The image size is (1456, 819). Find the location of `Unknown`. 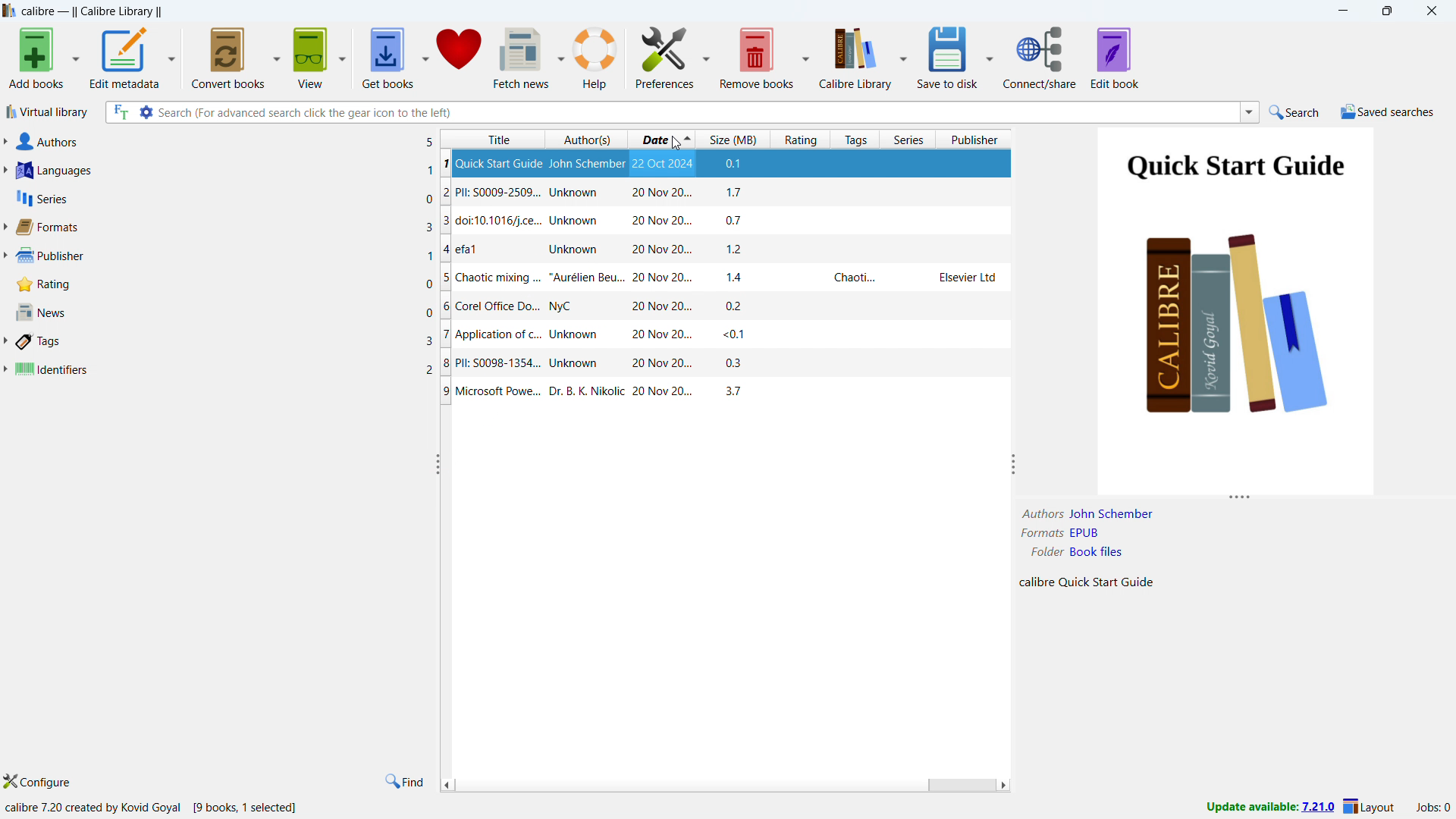

Unknown is located at coordinates (579, 193).